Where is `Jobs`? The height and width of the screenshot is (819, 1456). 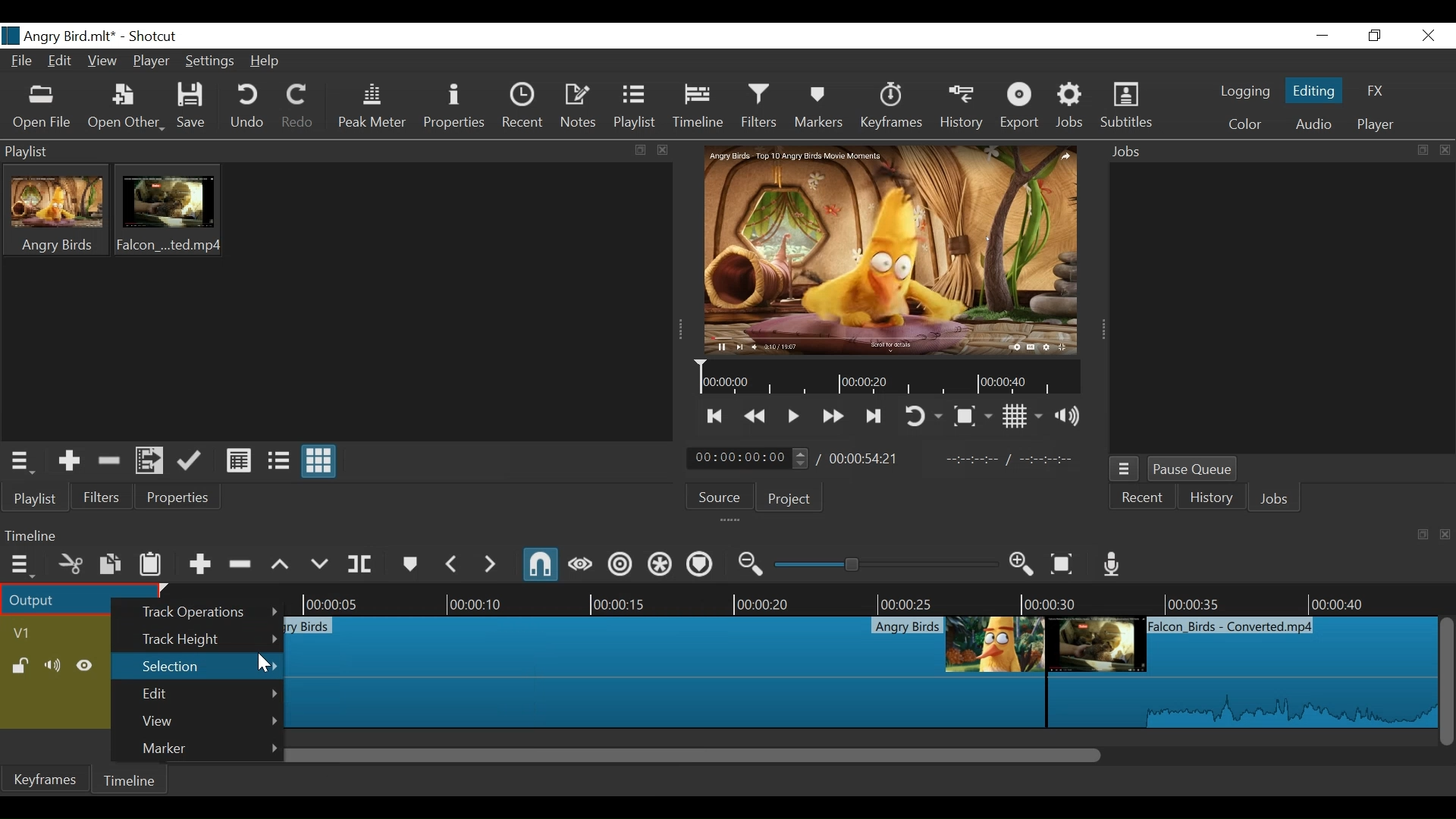 Jobs is located at coordinates (1278, 497).